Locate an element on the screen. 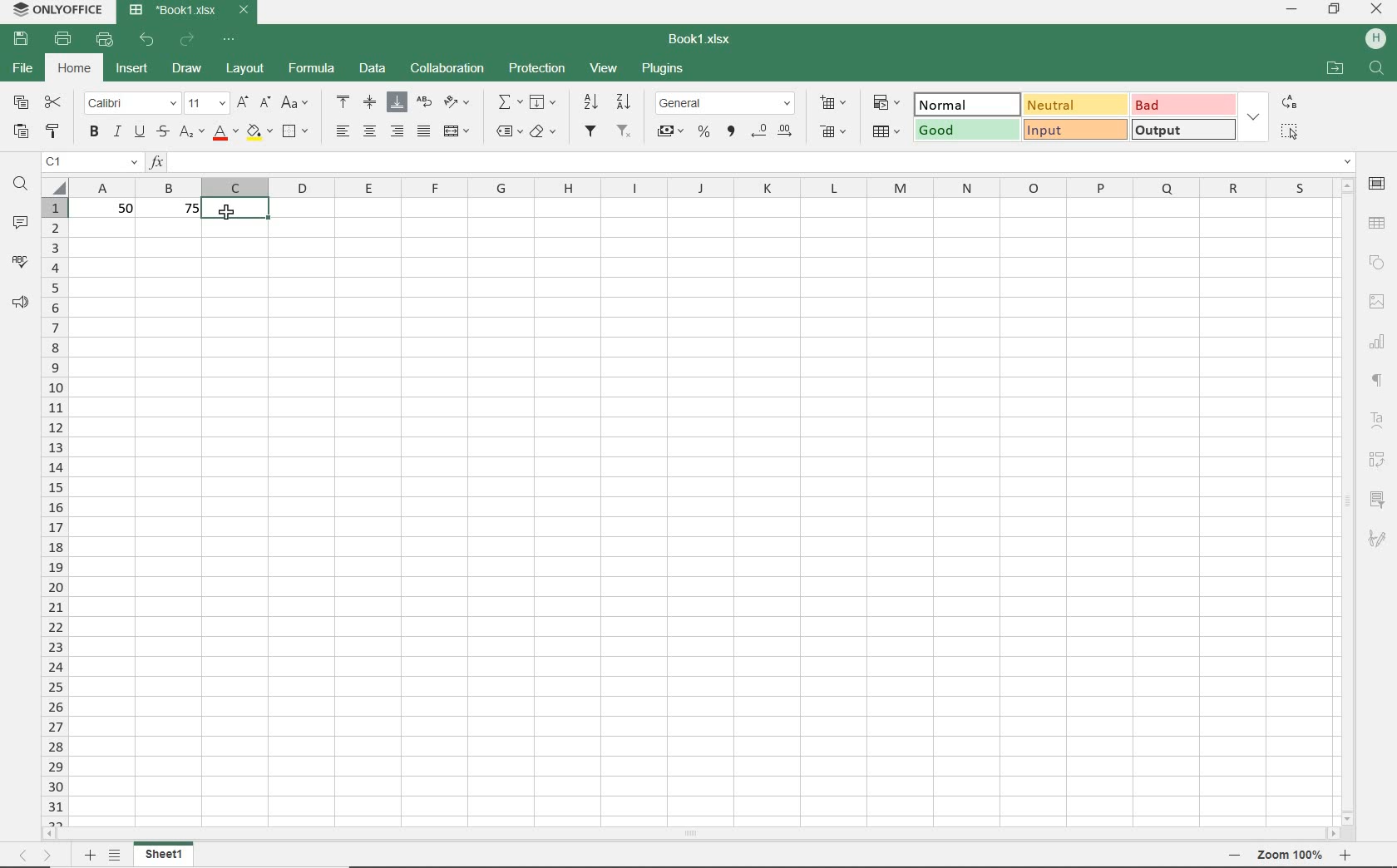 The image size is (1397, 868). 50 is located at coordinates (111, 209).